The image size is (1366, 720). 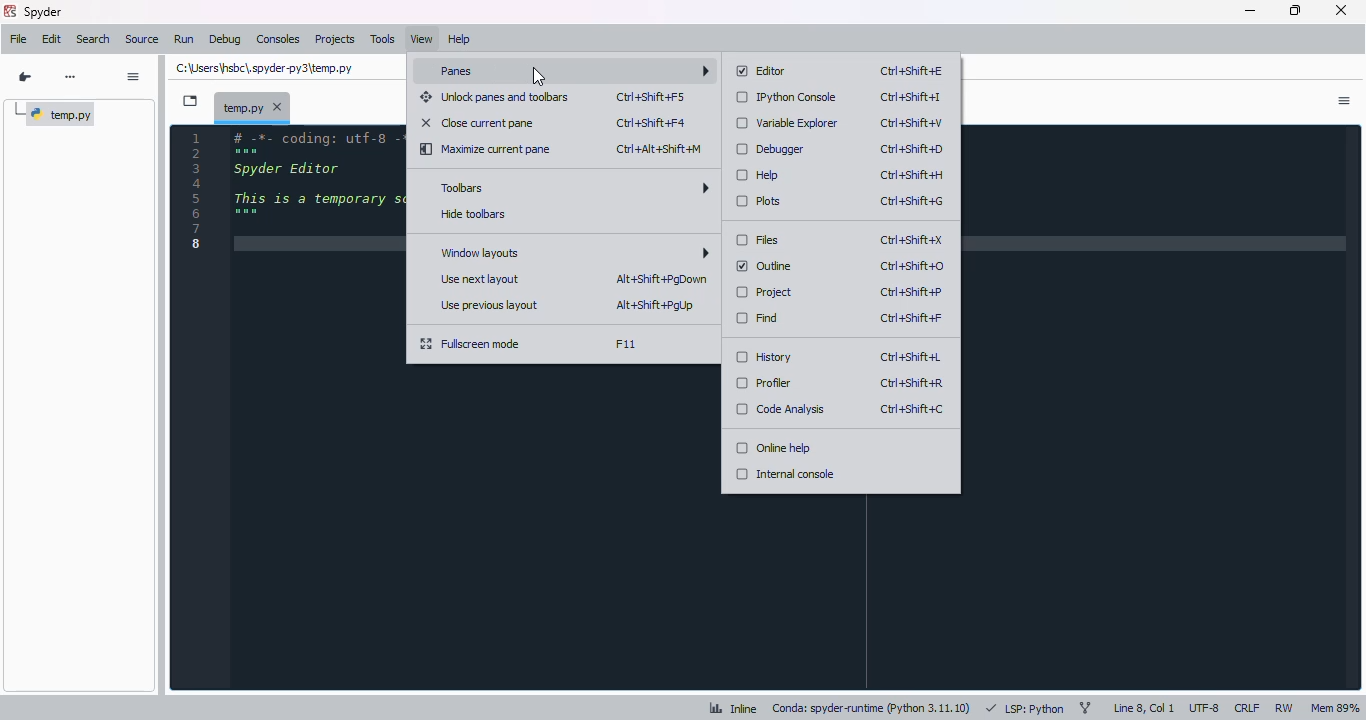 I want to click on shortcut for find, so click(x=910, y=318).